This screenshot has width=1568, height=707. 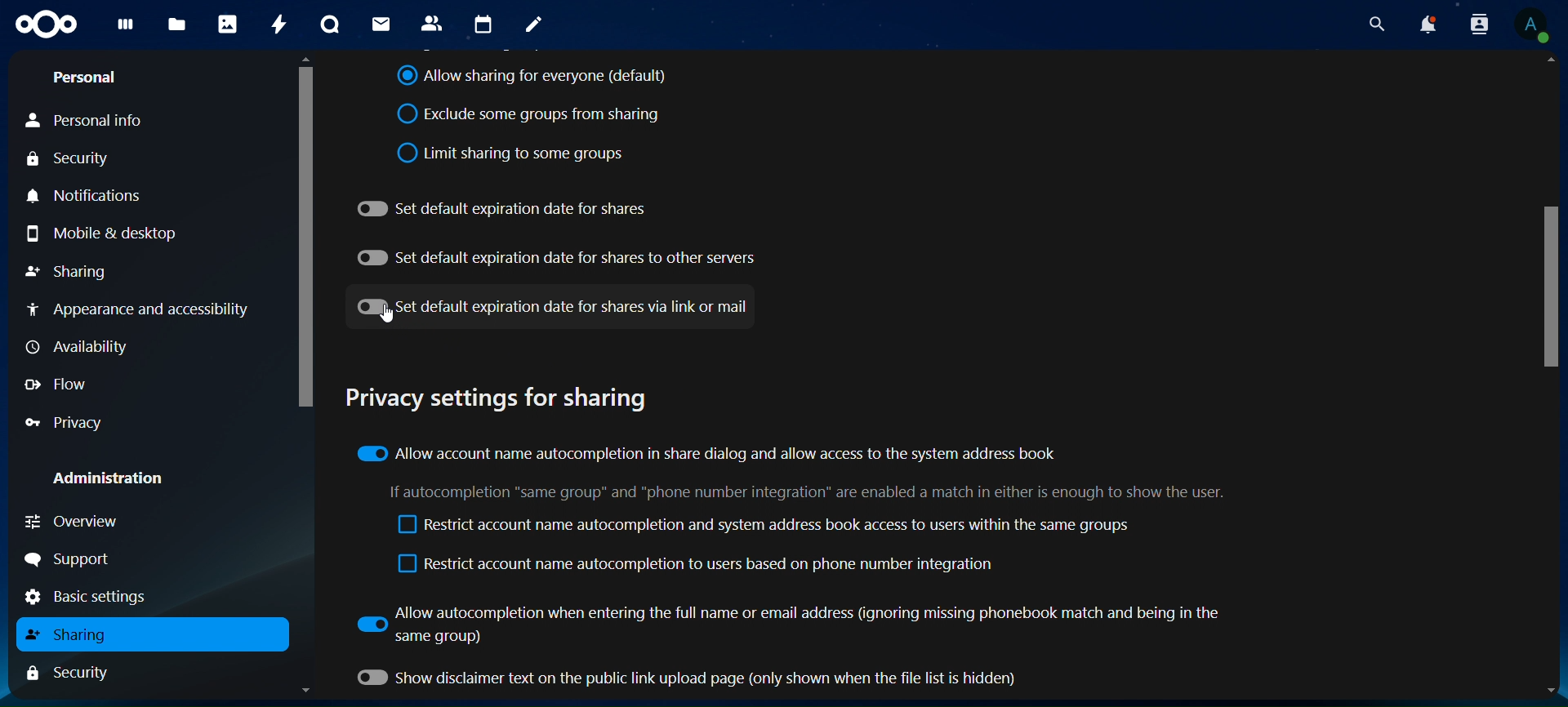 I want to click on support, so click(x=72, y=559).